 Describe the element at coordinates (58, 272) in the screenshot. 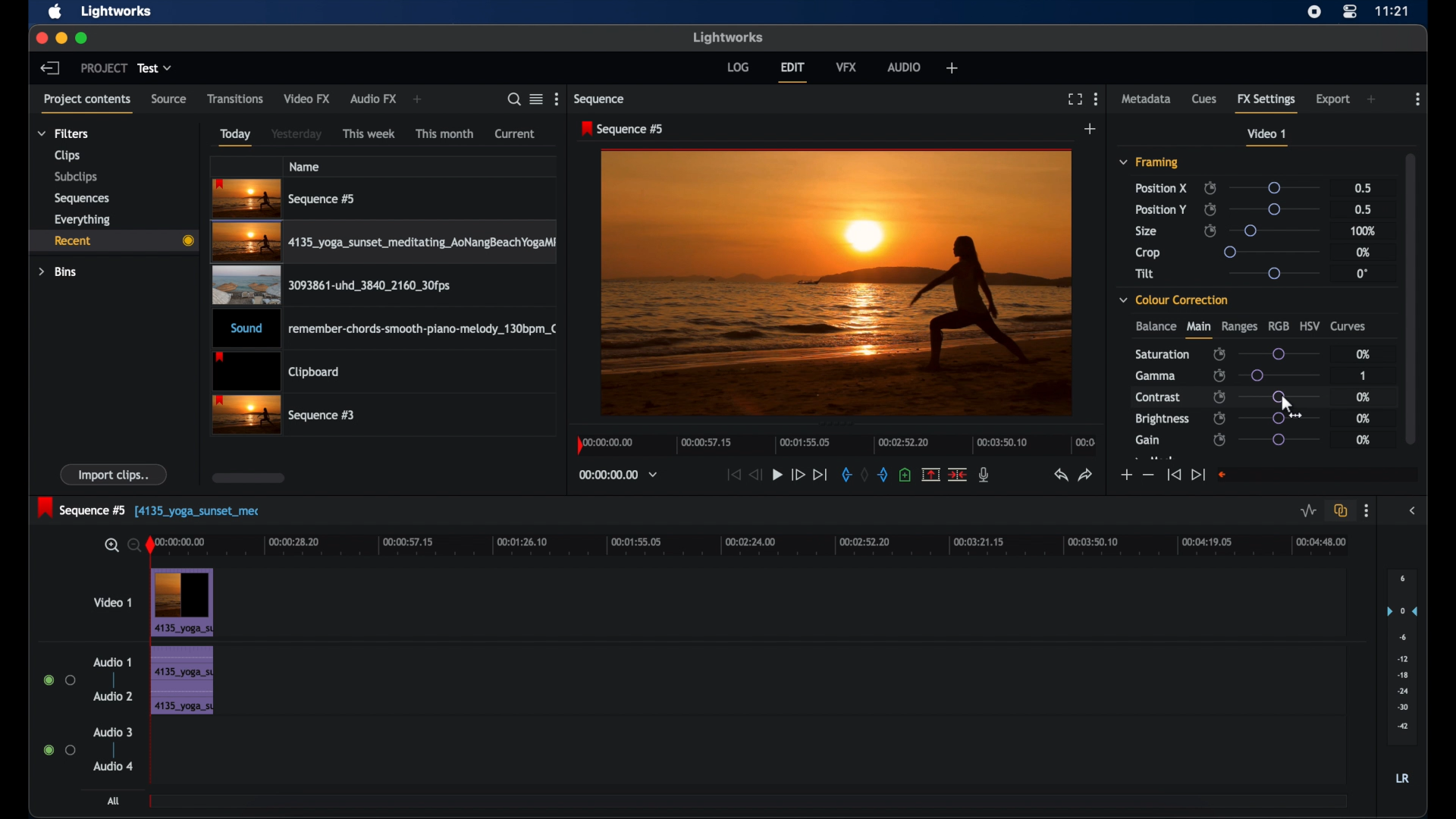

I see `bins` at that location.